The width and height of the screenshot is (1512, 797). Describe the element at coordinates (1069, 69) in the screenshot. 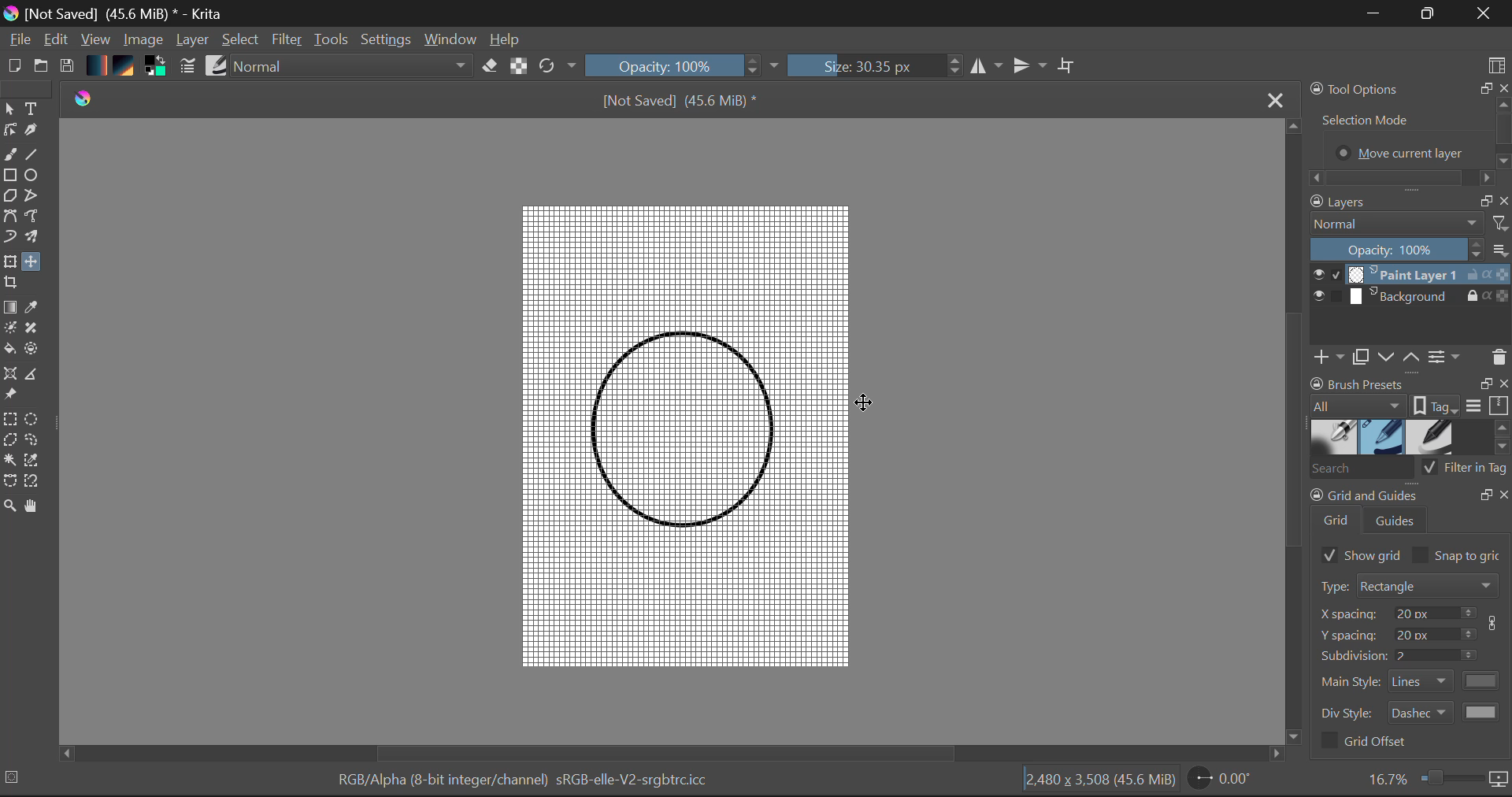

I see `Crop` at that location.